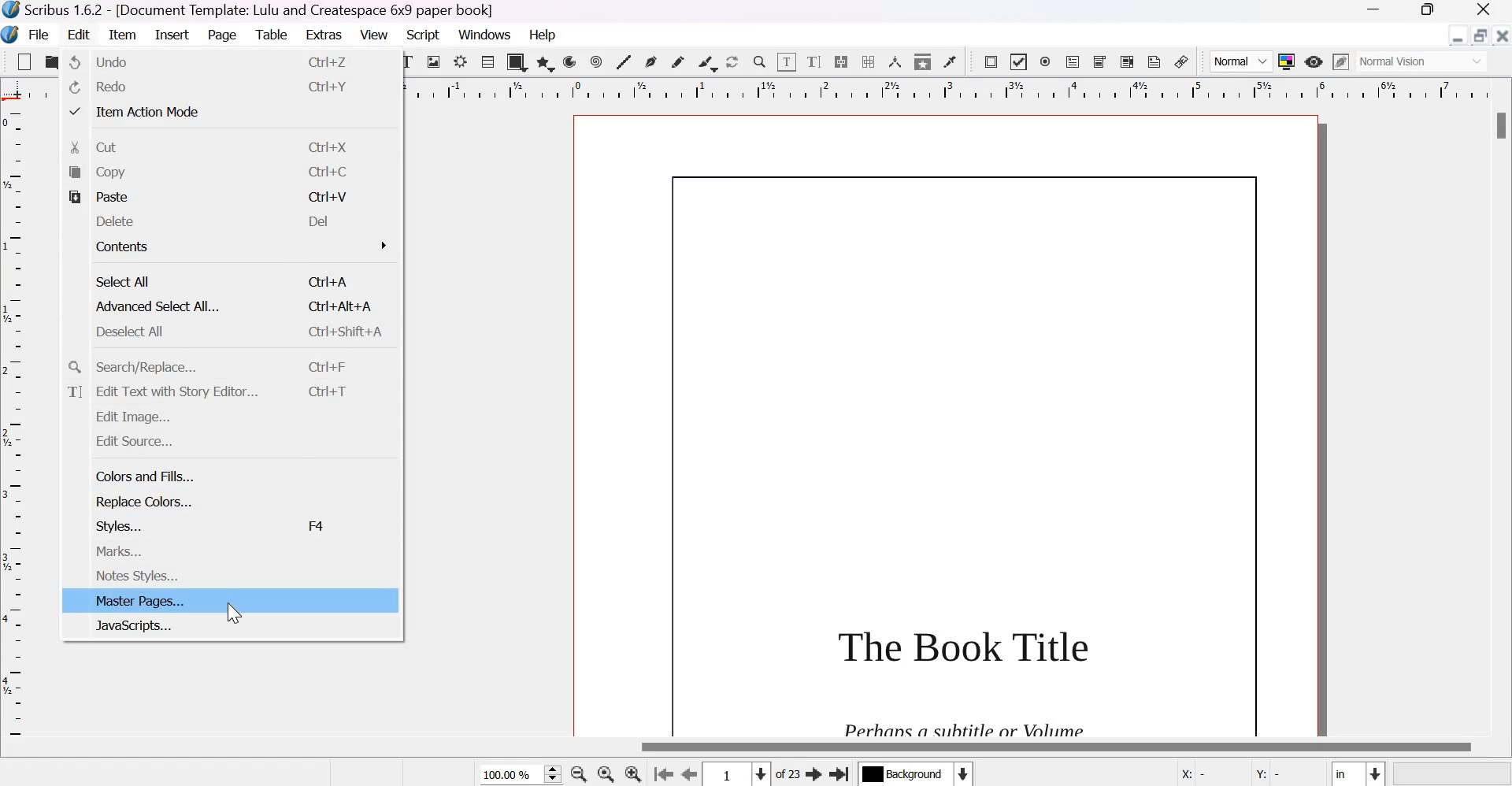 The height and width of the screenshot is (786, 1512). Describe the element at coordinates (373, 34) in the screenshot. I see `View` at that location.